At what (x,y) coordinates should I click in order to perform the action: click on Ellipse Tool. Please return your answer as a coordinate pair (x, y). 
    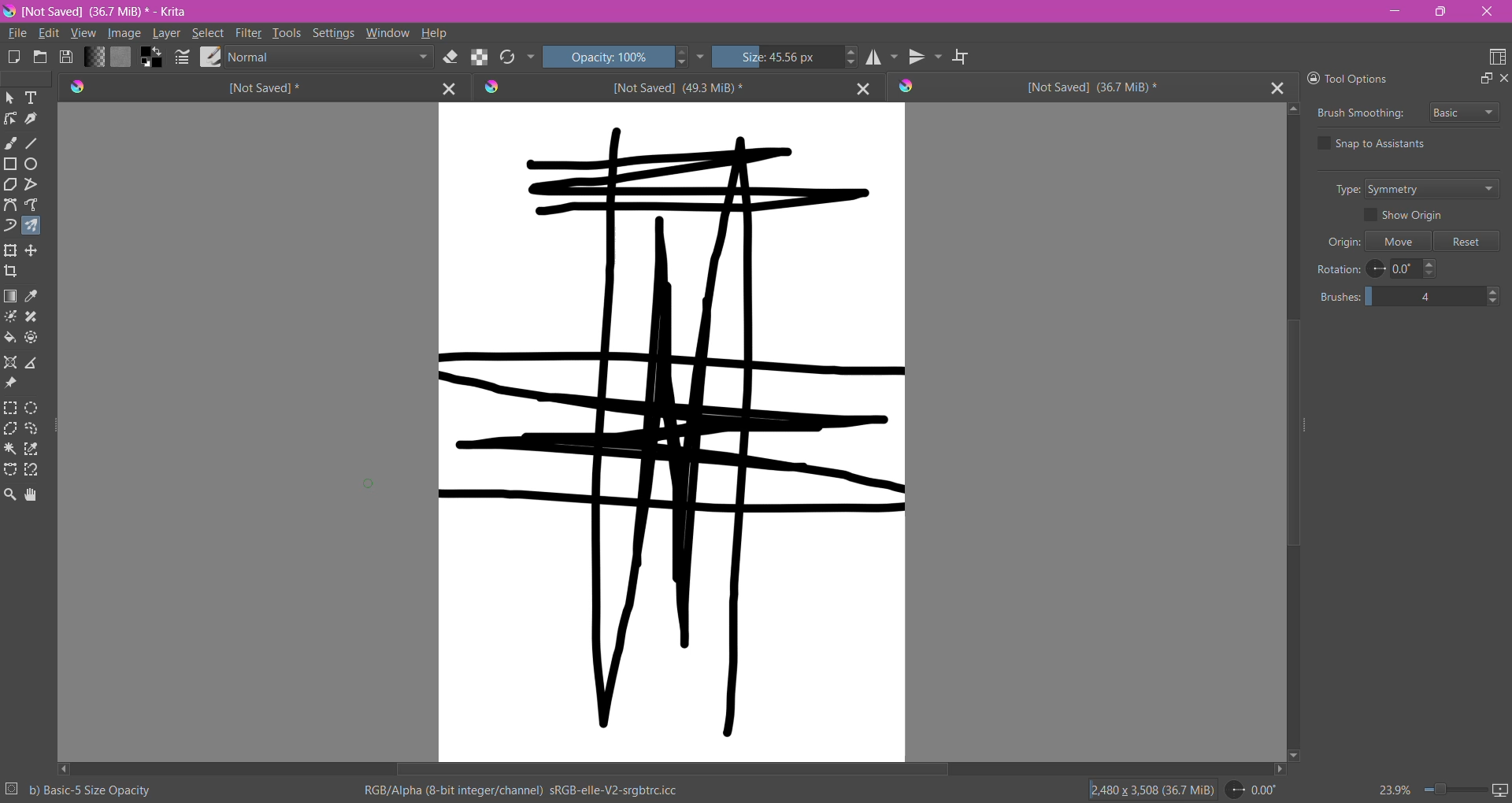
    Looking at the image, I should click on (33, 164).